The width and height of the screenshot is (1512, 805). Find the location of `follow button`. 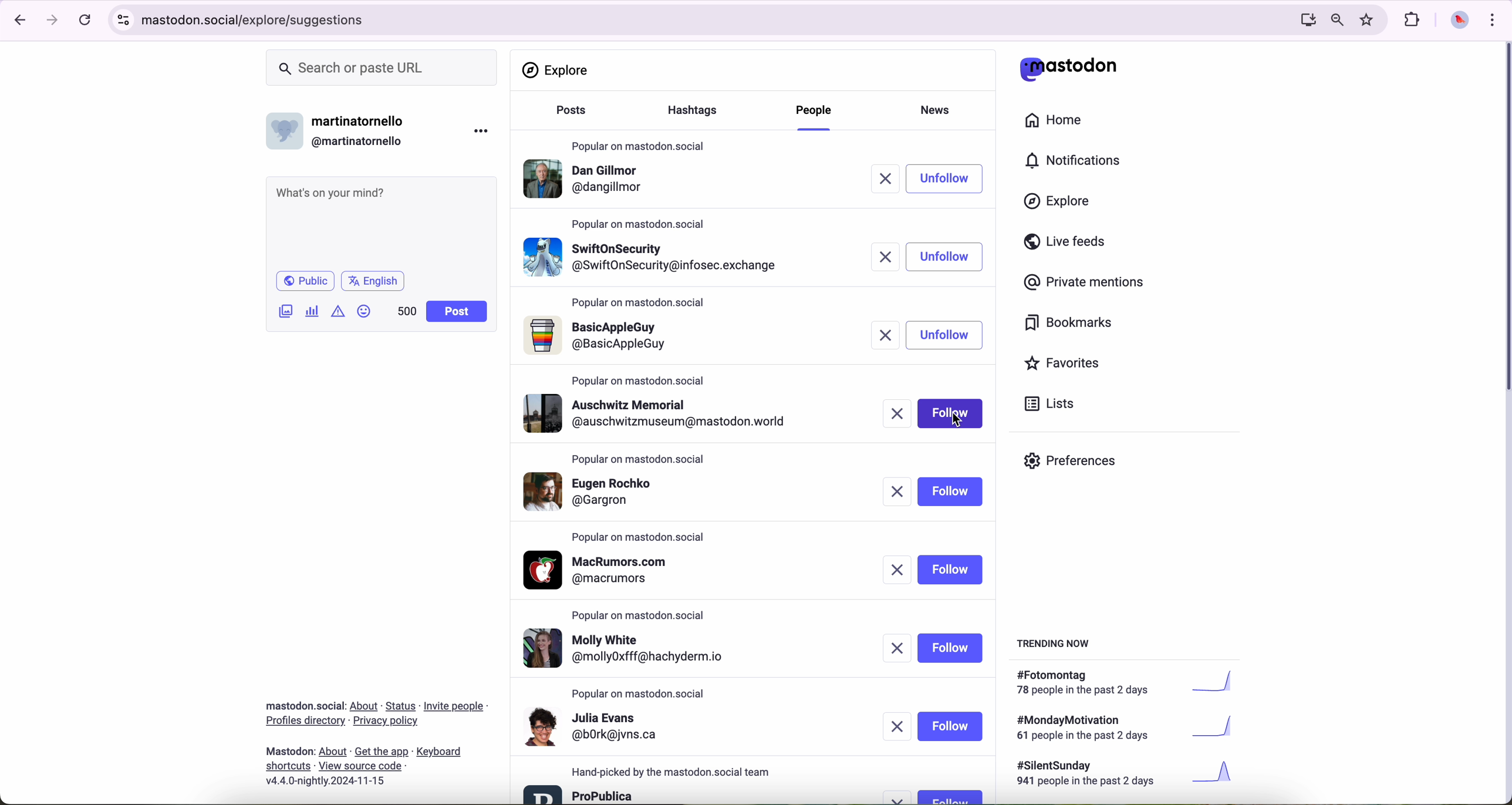

follow button is located at coordinates (950, 648).